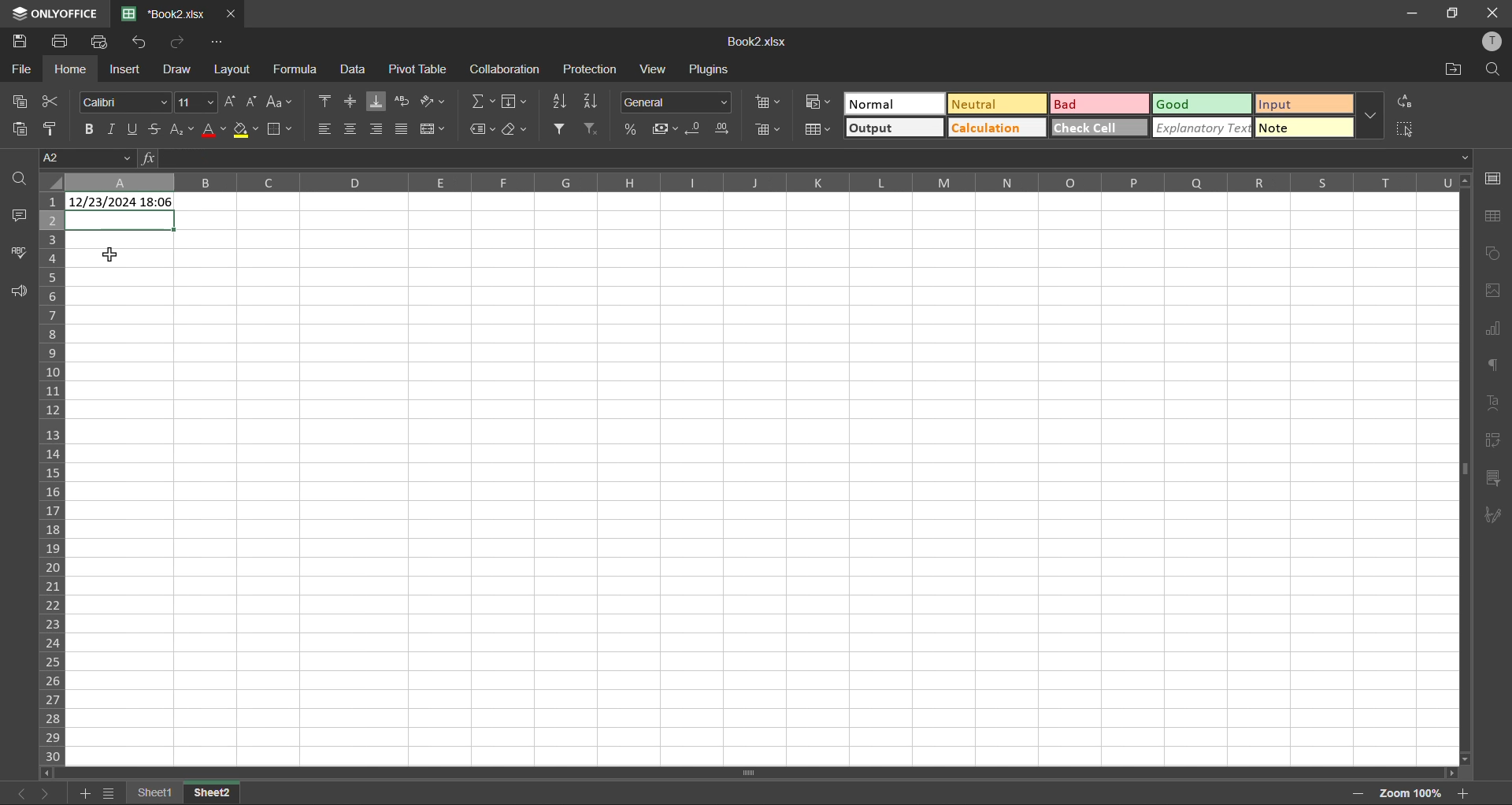  What do you see at coordinates (1416, 791) in the screenshot?
I see `zoom factor` at bounding box center [1416, 791].